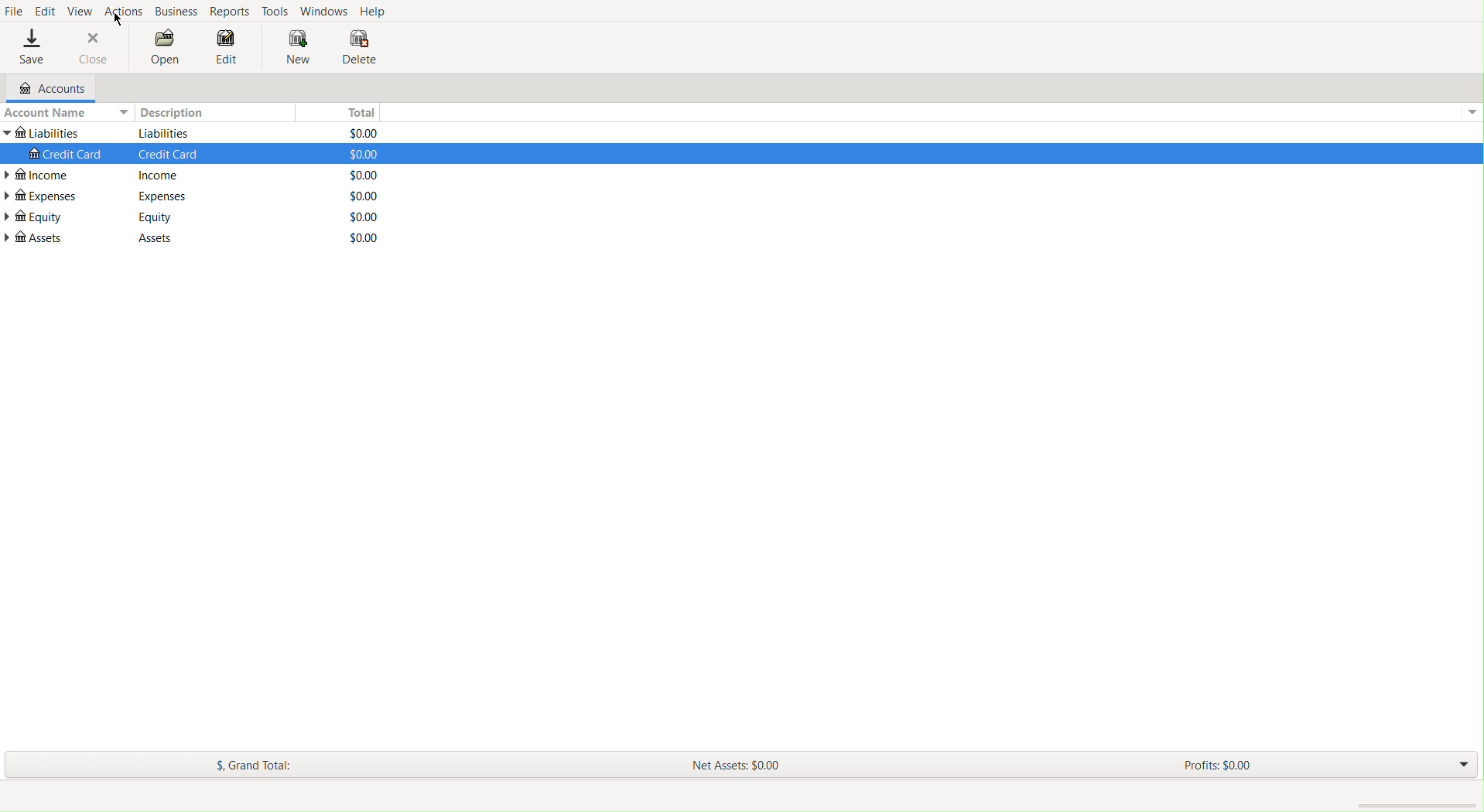 The width and height of the screenshot is (1484, 812). What do you see at coordinates (43, 133) in the screenshot?
I see `Liabilities` at bounding box center [43, 133].